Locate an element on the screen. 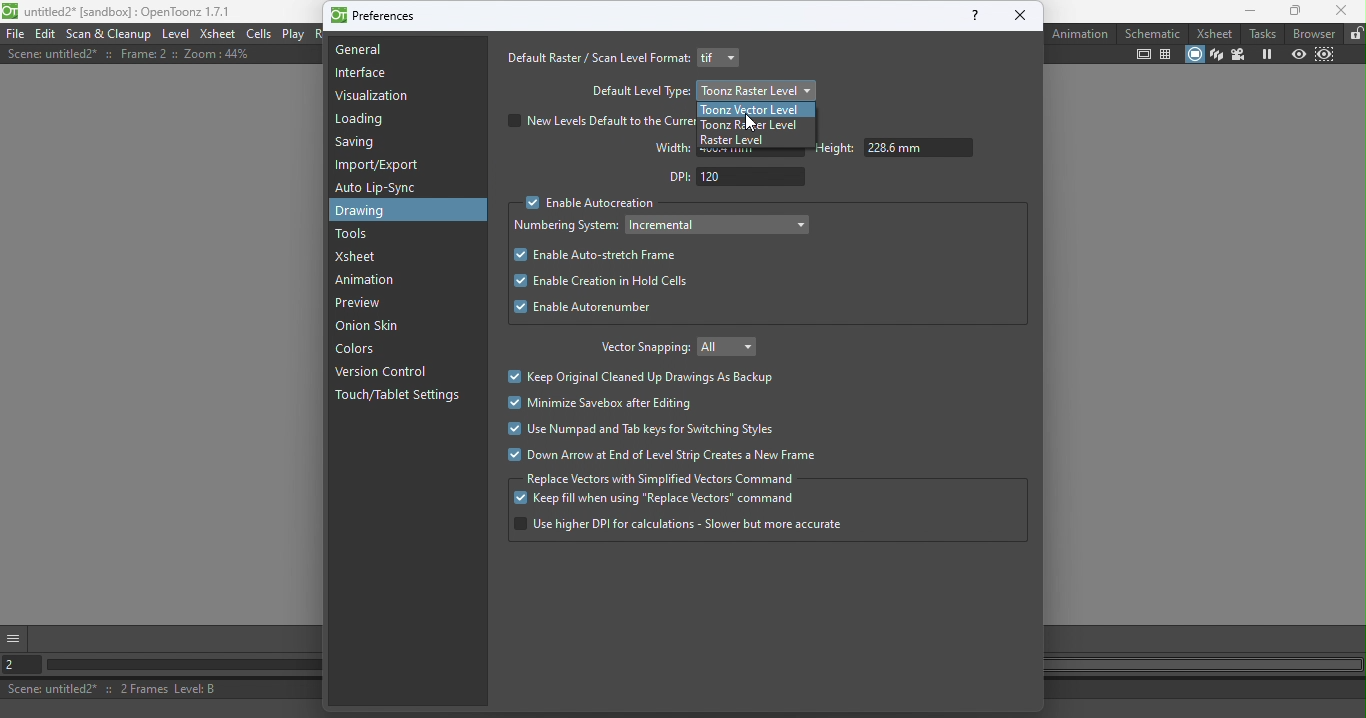 This screenshot has width=1366, height=718. Drop down menu is located at coordinates (719, 58).